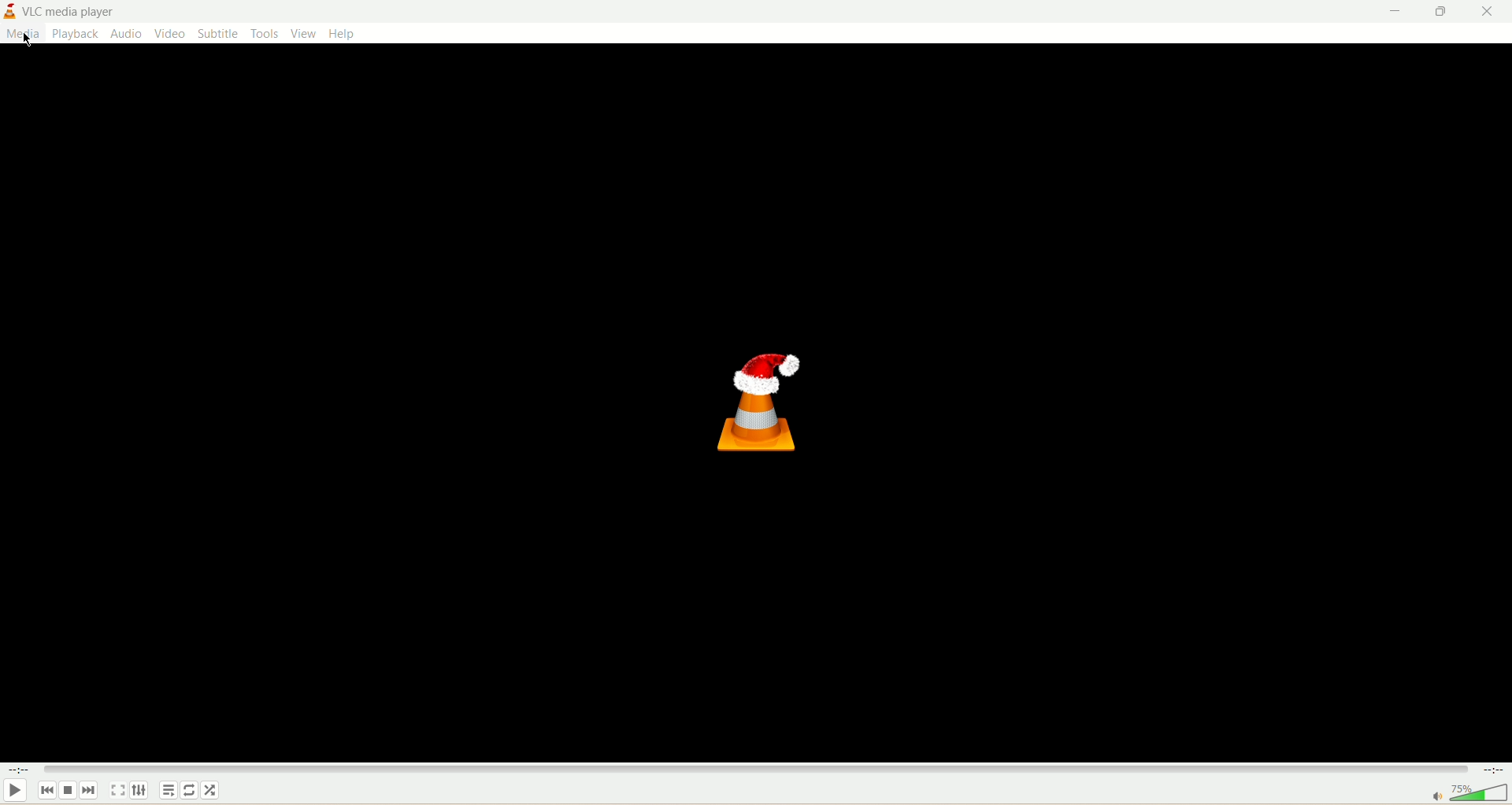 Image resolution: width=1512 pixels, height=805 pixels. What do you see at coordinates (1492, 772) in the screenshot?
I see `remaining time` at bounding box center [1492, 772].